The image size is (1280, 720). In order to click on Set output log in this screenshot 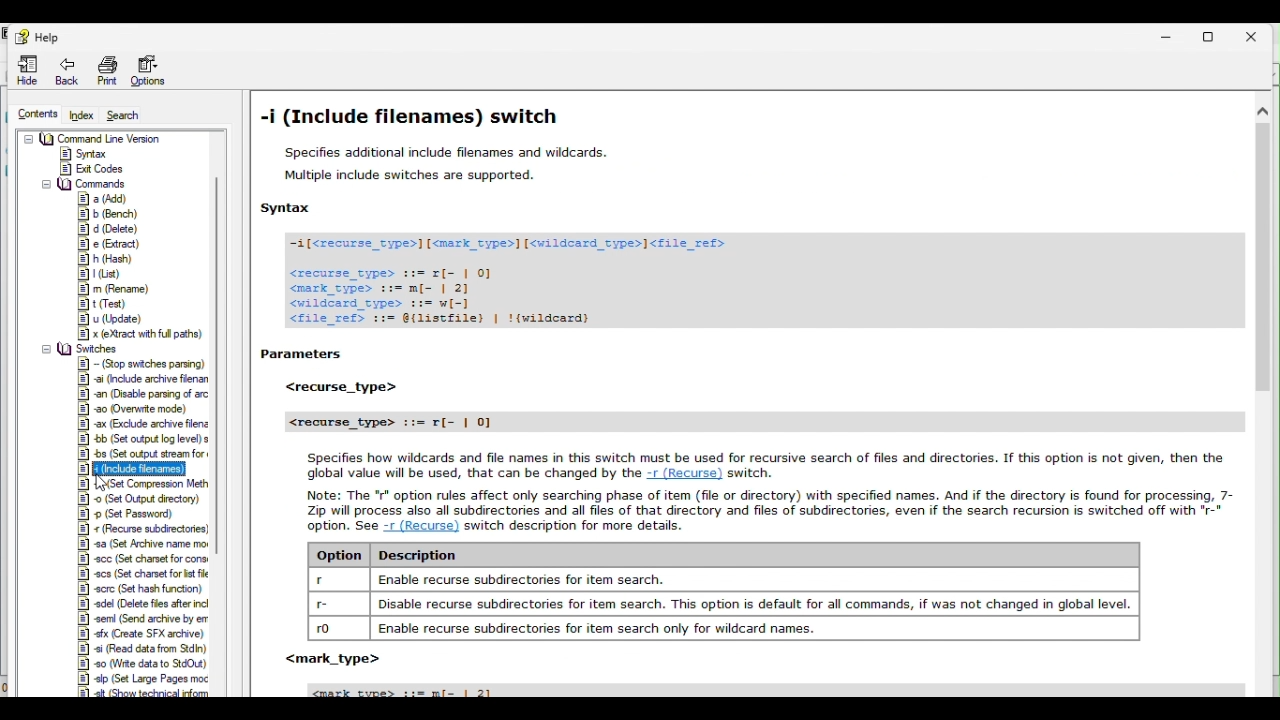, I will do `click(143, 440)`.